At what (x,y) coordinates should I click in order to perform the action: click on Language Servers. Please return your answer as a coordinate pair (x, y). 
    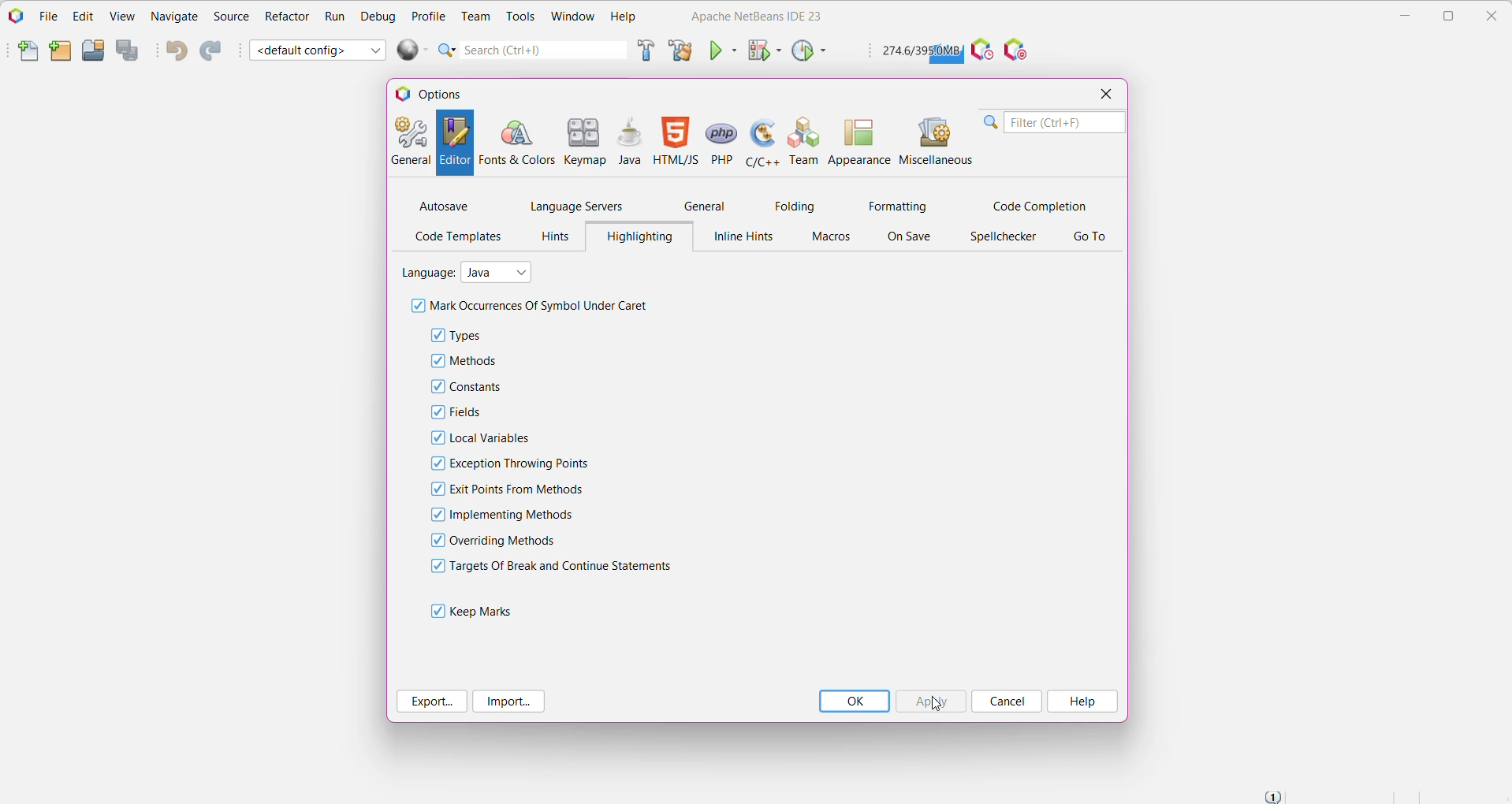
    Looking at the image, I should click on (576, 207).